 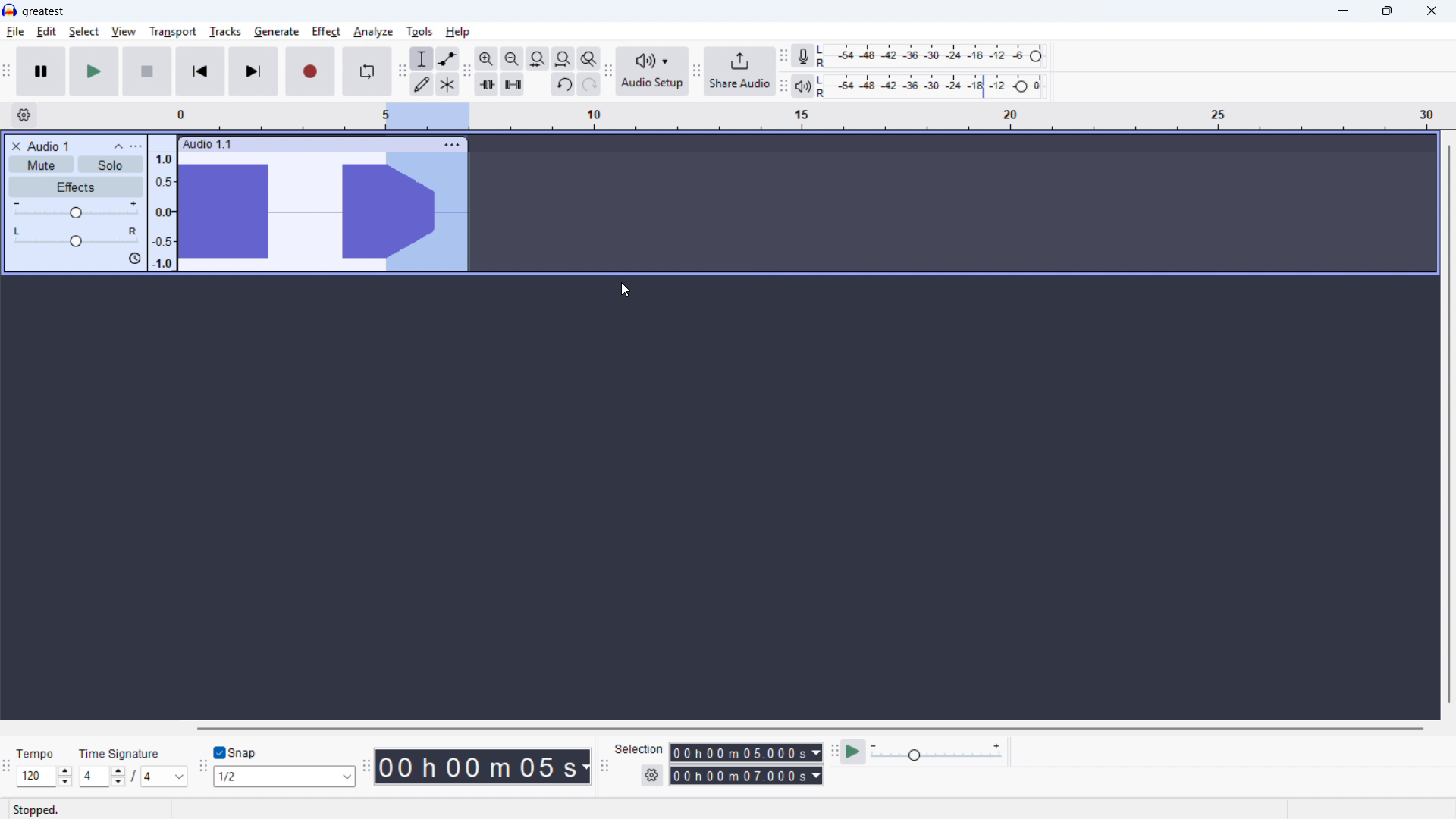 I want to click on , so click(x=325, y=727).